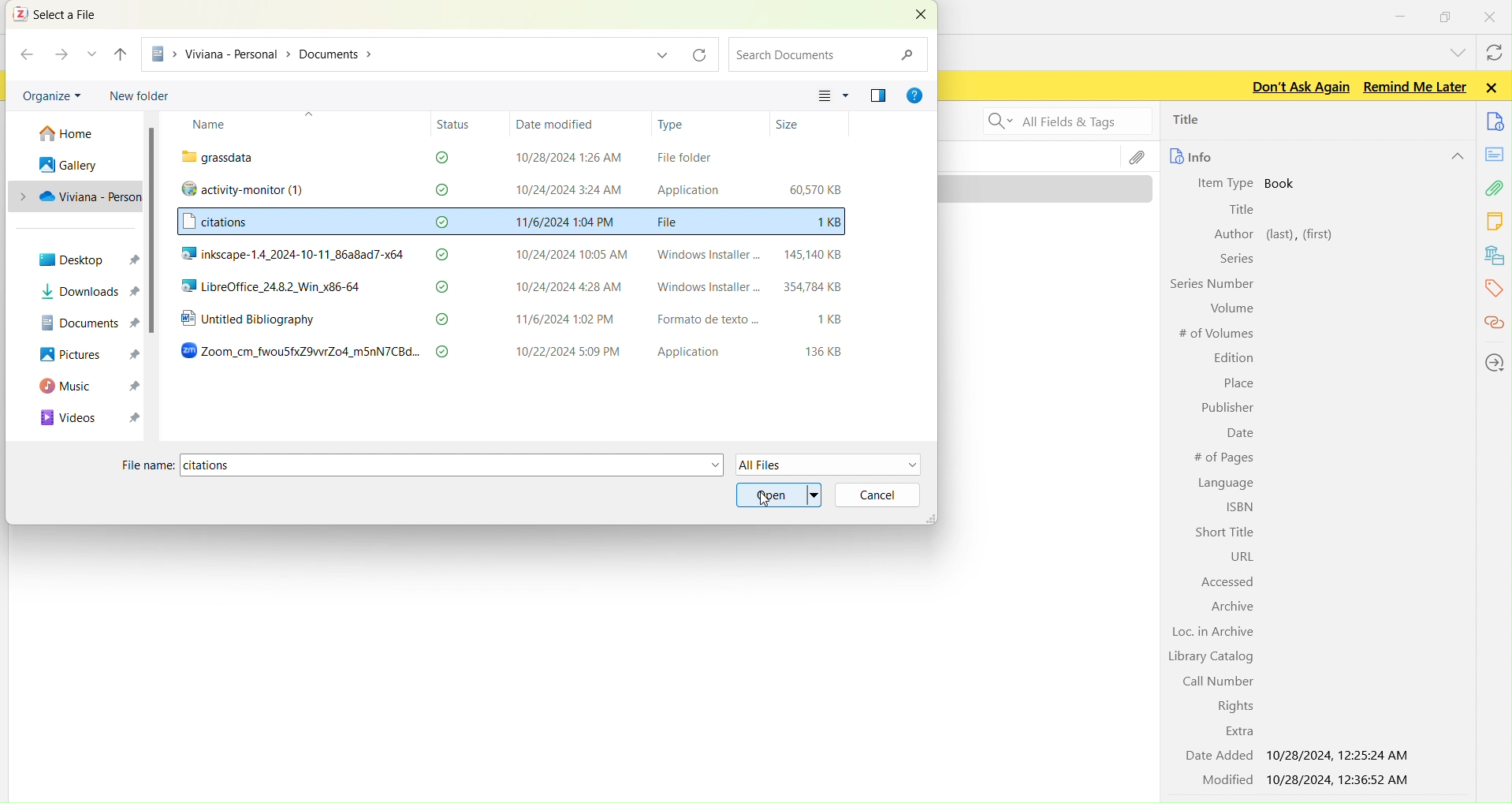  I want to click on check, so click(444, 351).